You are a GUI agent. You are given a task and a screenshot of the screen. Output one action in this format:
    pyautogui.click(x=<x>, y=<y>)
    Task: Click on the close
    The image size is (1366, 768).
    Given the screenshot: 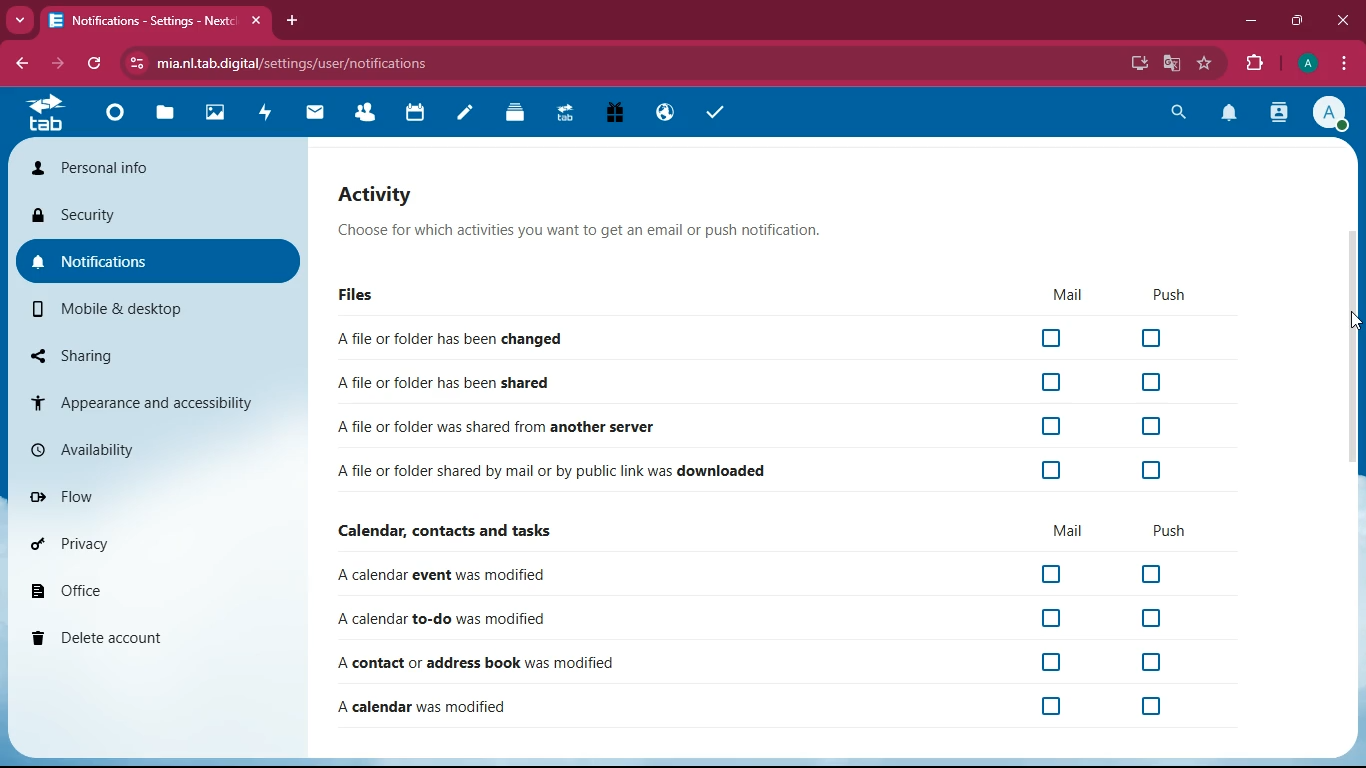 What is the action you would take?
    pyautogui.click(x=255, y=22)
    